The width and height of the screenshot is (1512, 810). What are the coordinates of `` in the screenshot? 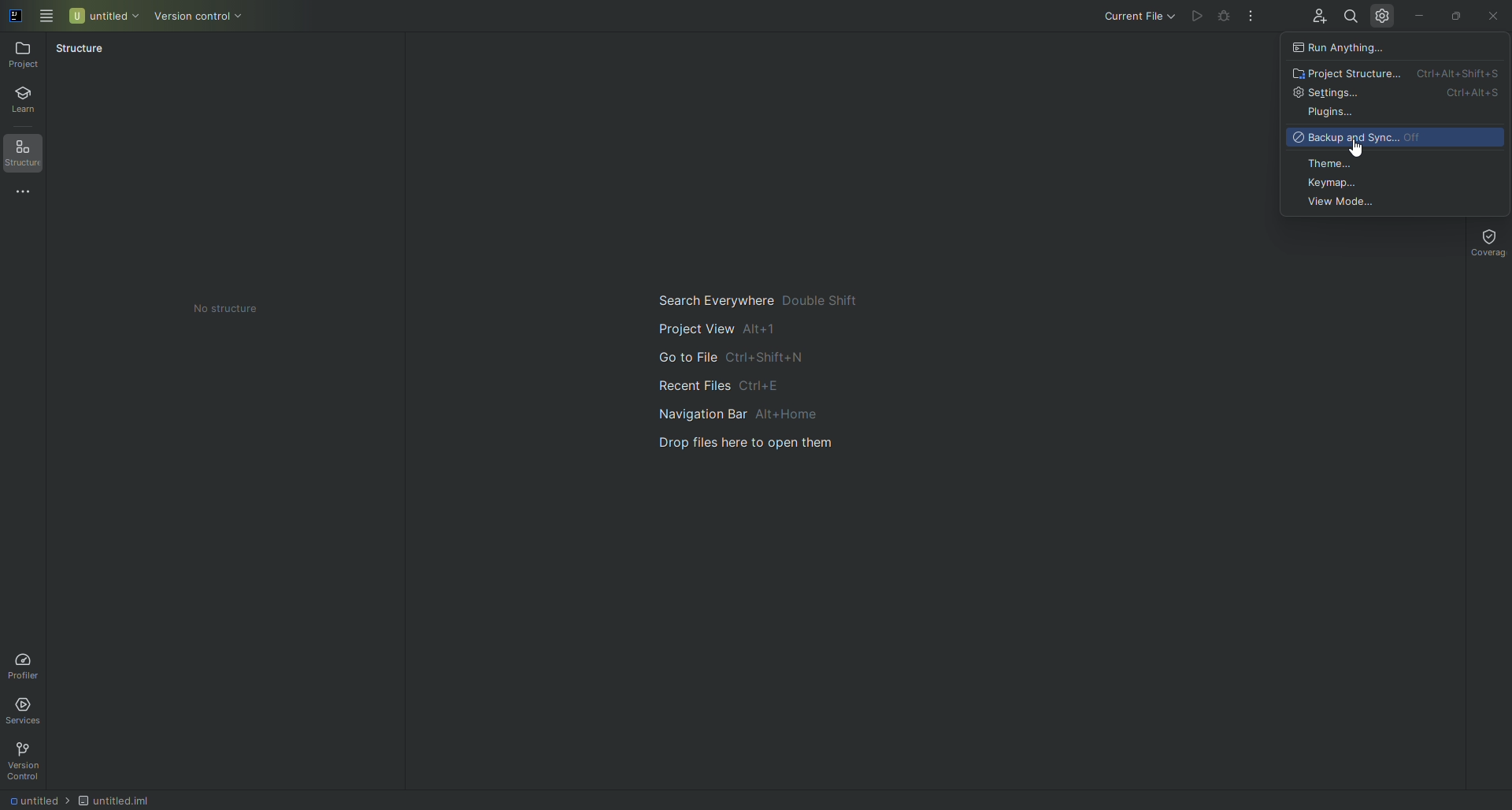 It's located at (18, 13).